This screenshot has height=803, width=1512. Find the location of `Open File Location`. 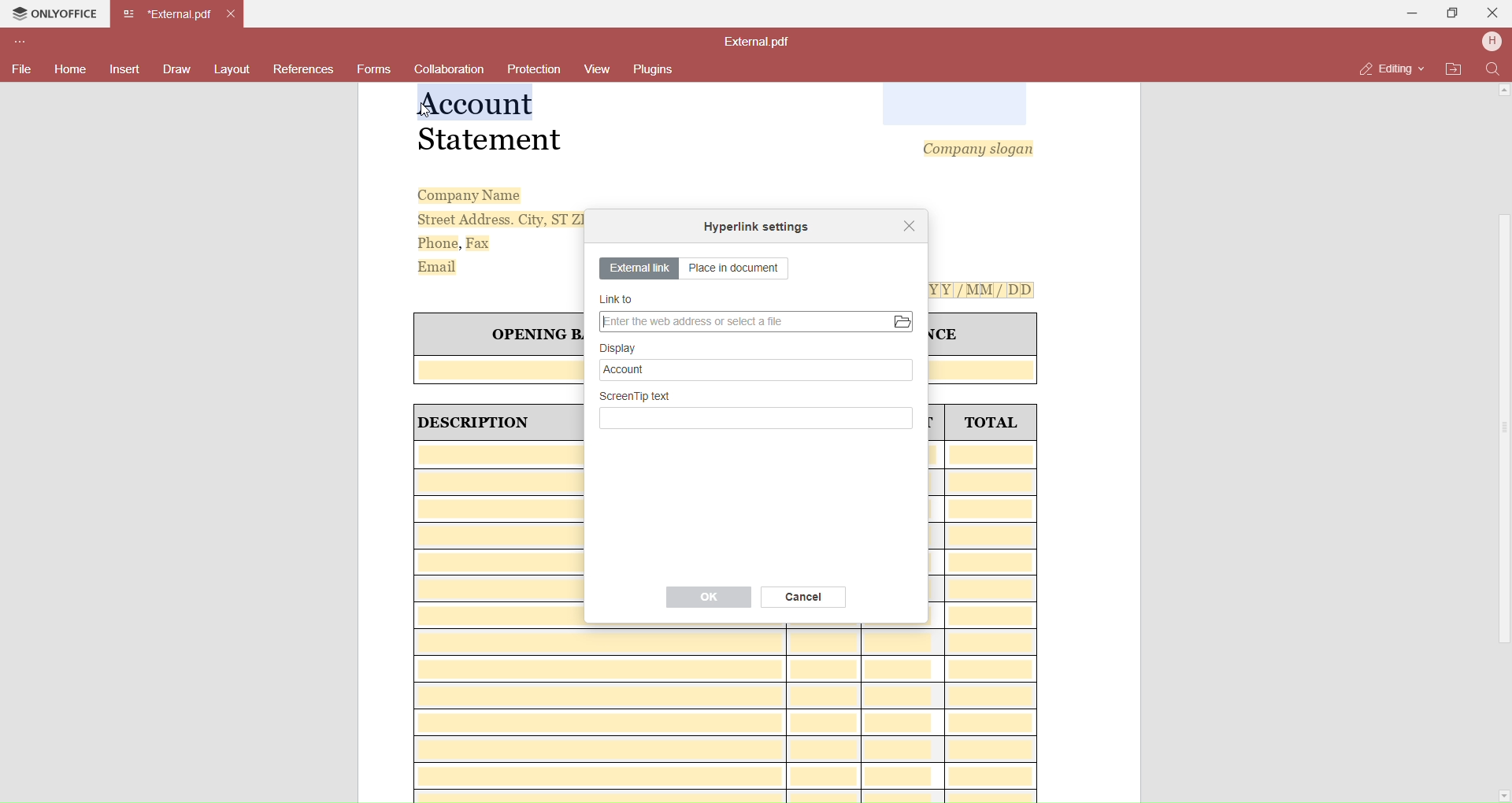

Open File Location is located at coordinates (1455, 70).